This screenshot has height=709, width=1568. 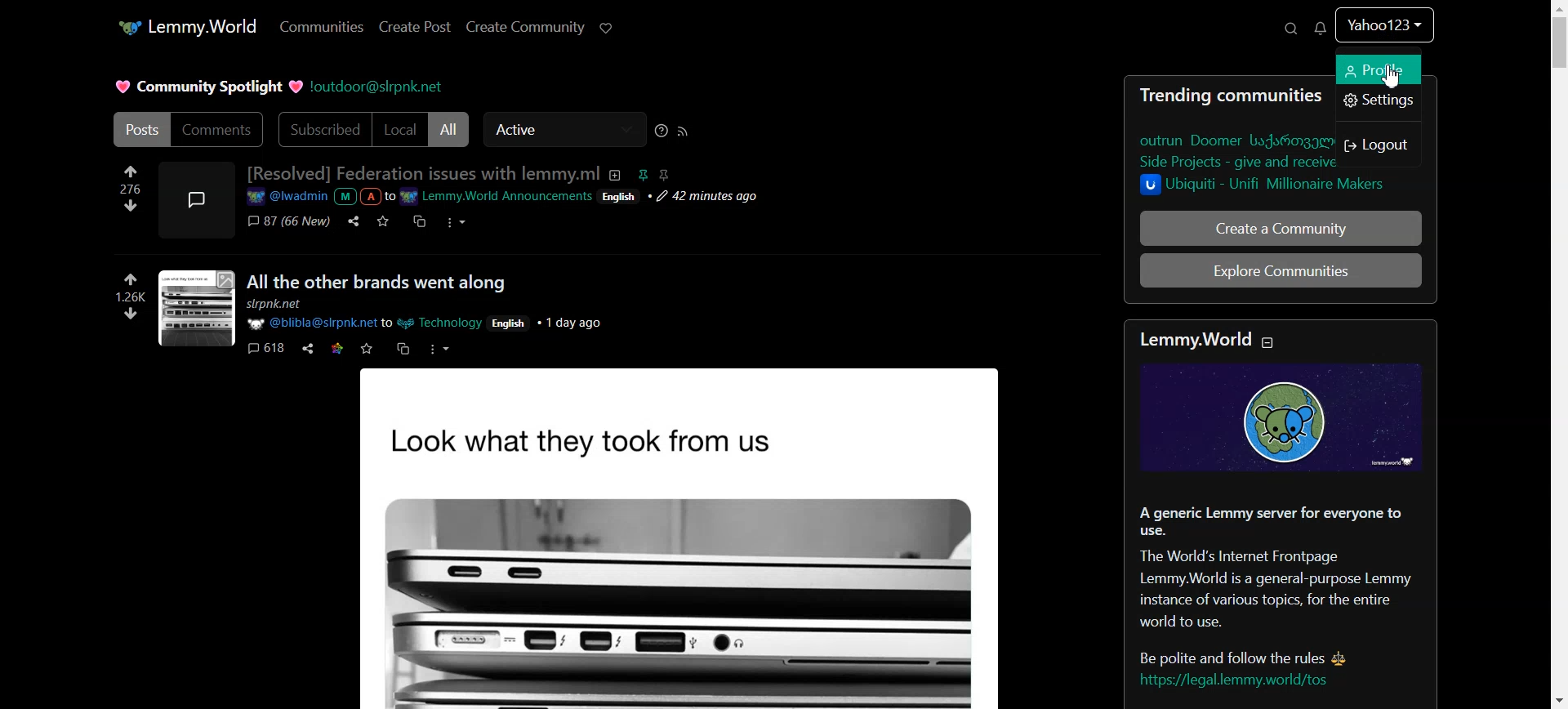 I want to click on slrpnk.net, so click(x=274, y=304).